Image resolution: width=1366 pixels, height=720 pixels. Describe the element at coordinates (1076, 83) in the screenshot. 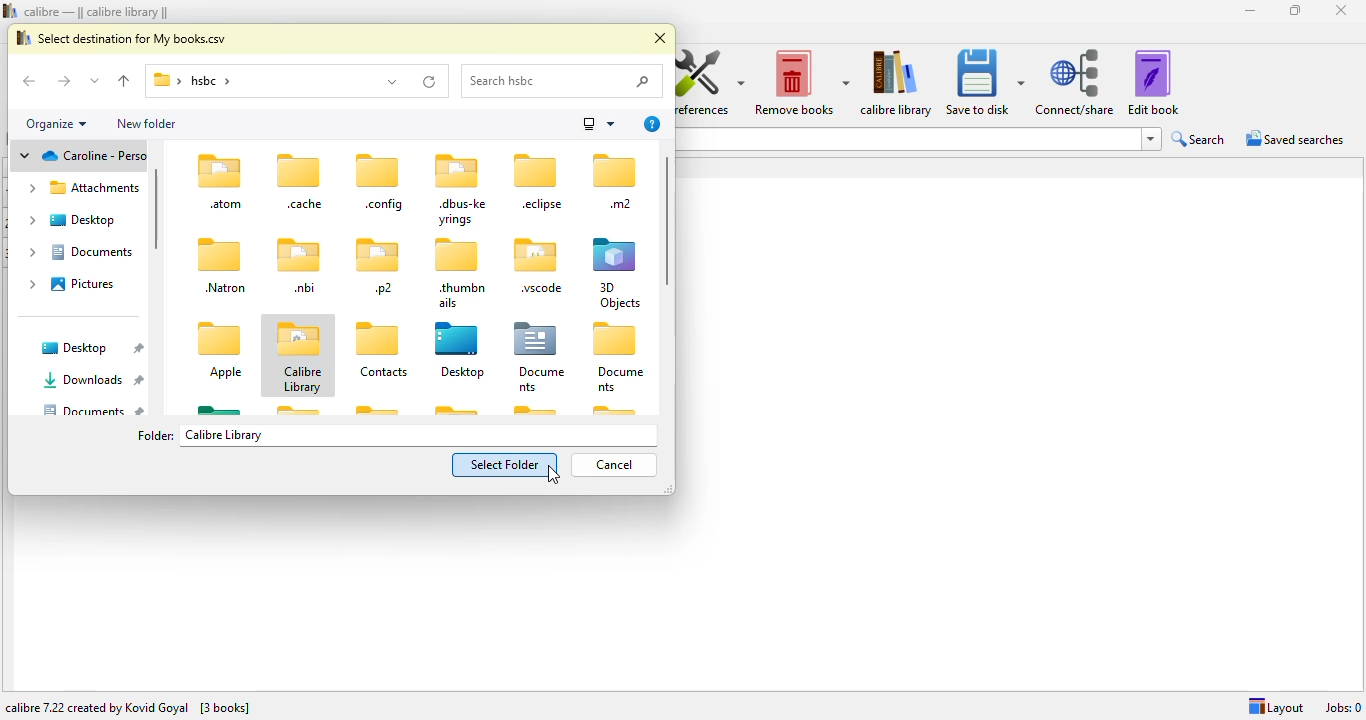

I see `connect/share` at that location.